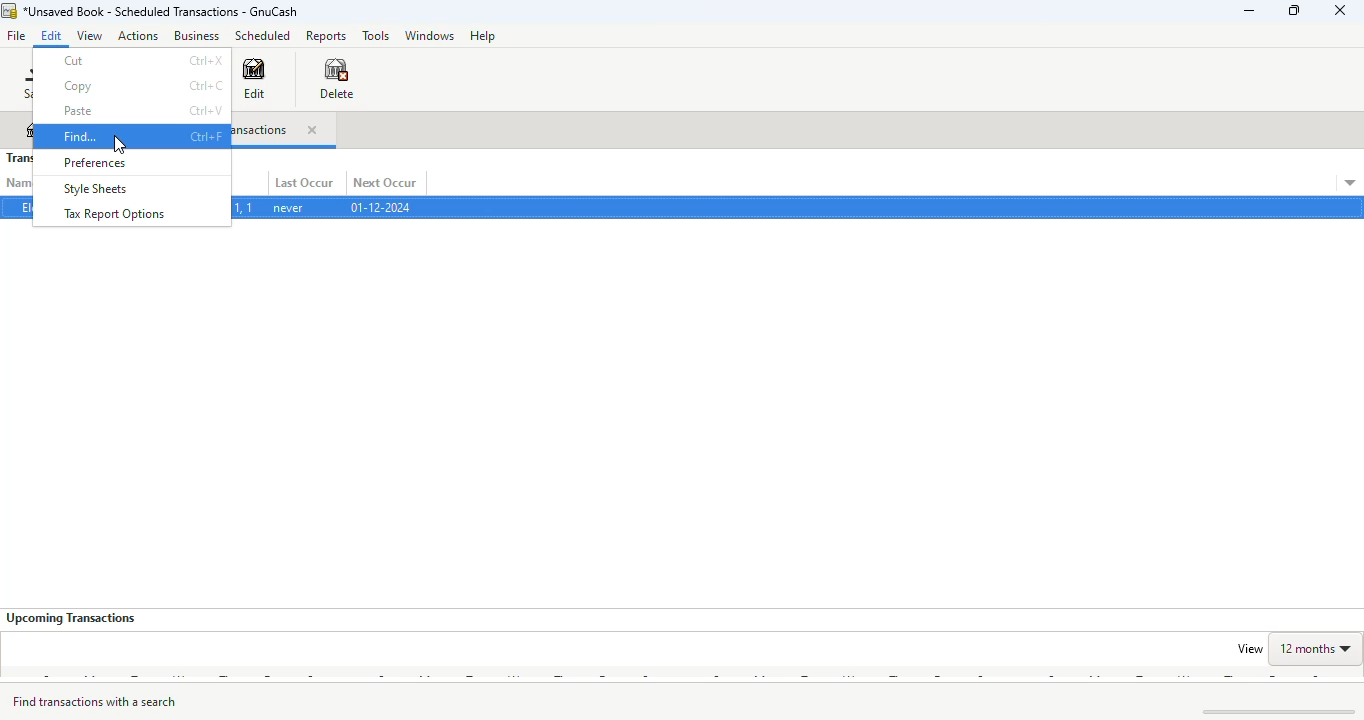 This screenshot has height=720, width=1364. What do you see at coordinates (162, 11) in the screenshot?
I see `title` at bounding box center [162, 11].